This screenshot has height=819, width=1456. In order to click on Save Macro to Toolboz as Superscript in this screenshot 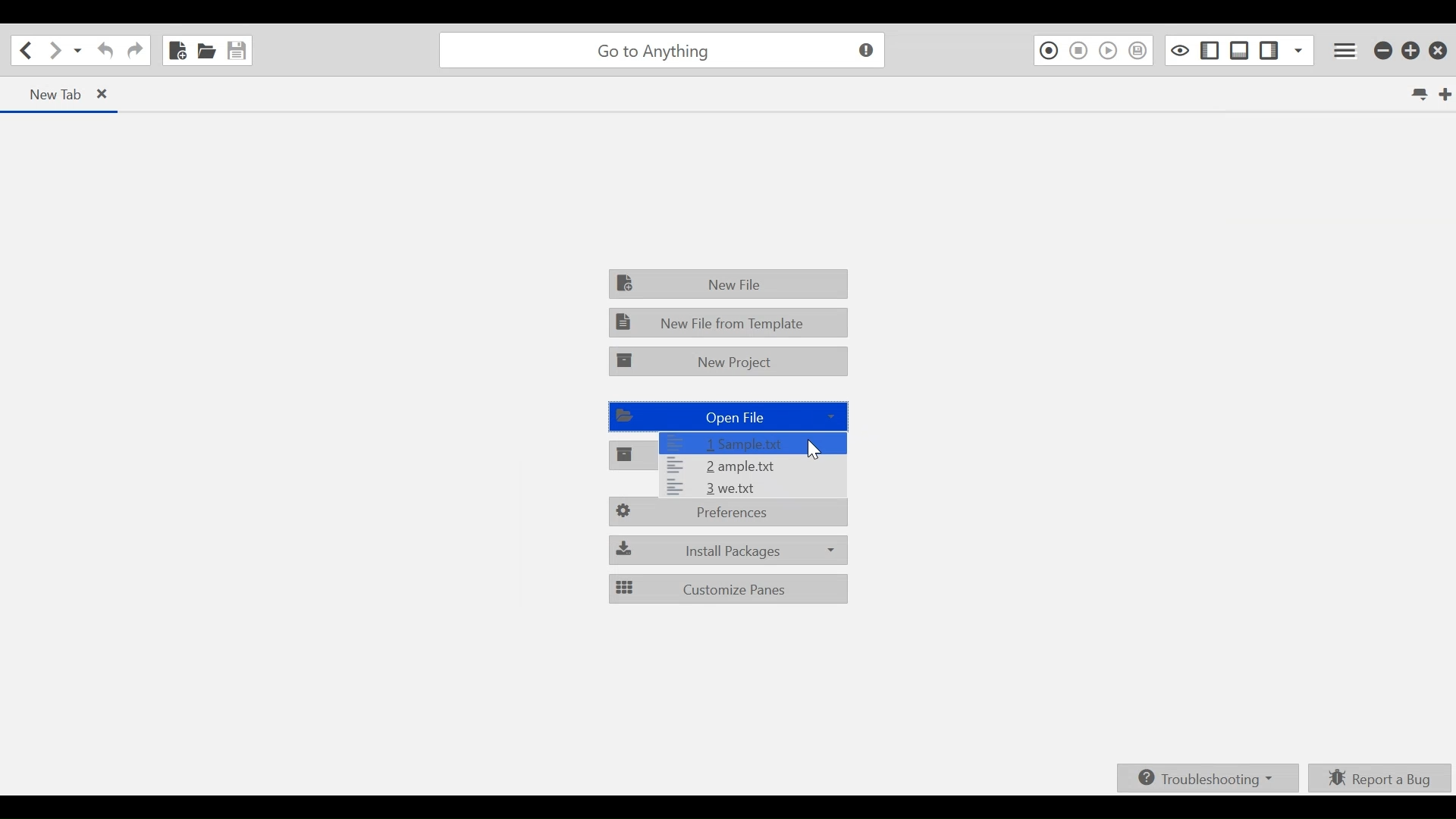, I will do `click(1141, 50)`.